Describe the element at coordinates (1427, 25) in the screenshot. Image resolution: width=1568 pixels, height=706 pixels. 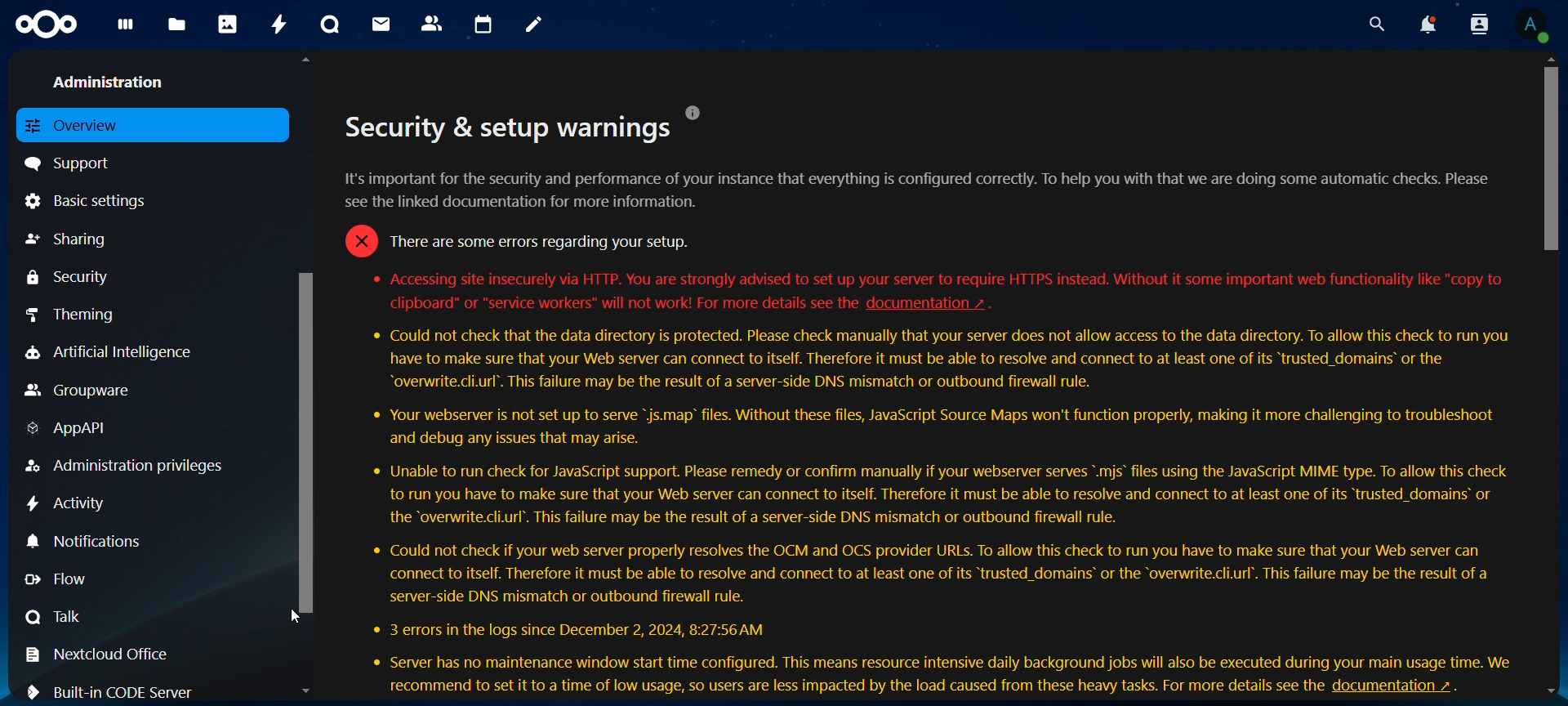
I see `notifications` at that location.